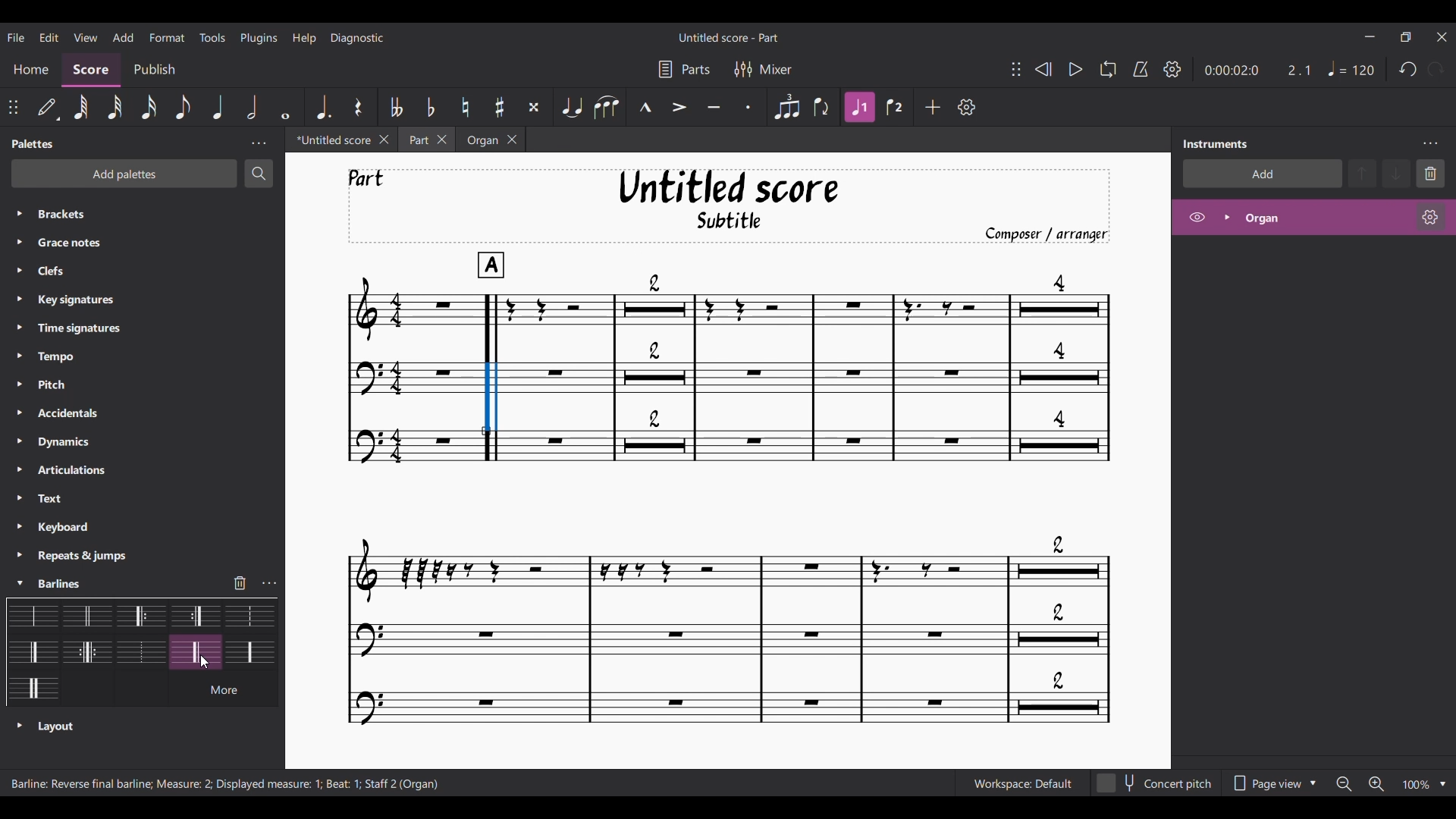  What do you see at coordinates (966, 106) in the screenshot?
I see `Customize toolbar` at bounding box center [966, 106].